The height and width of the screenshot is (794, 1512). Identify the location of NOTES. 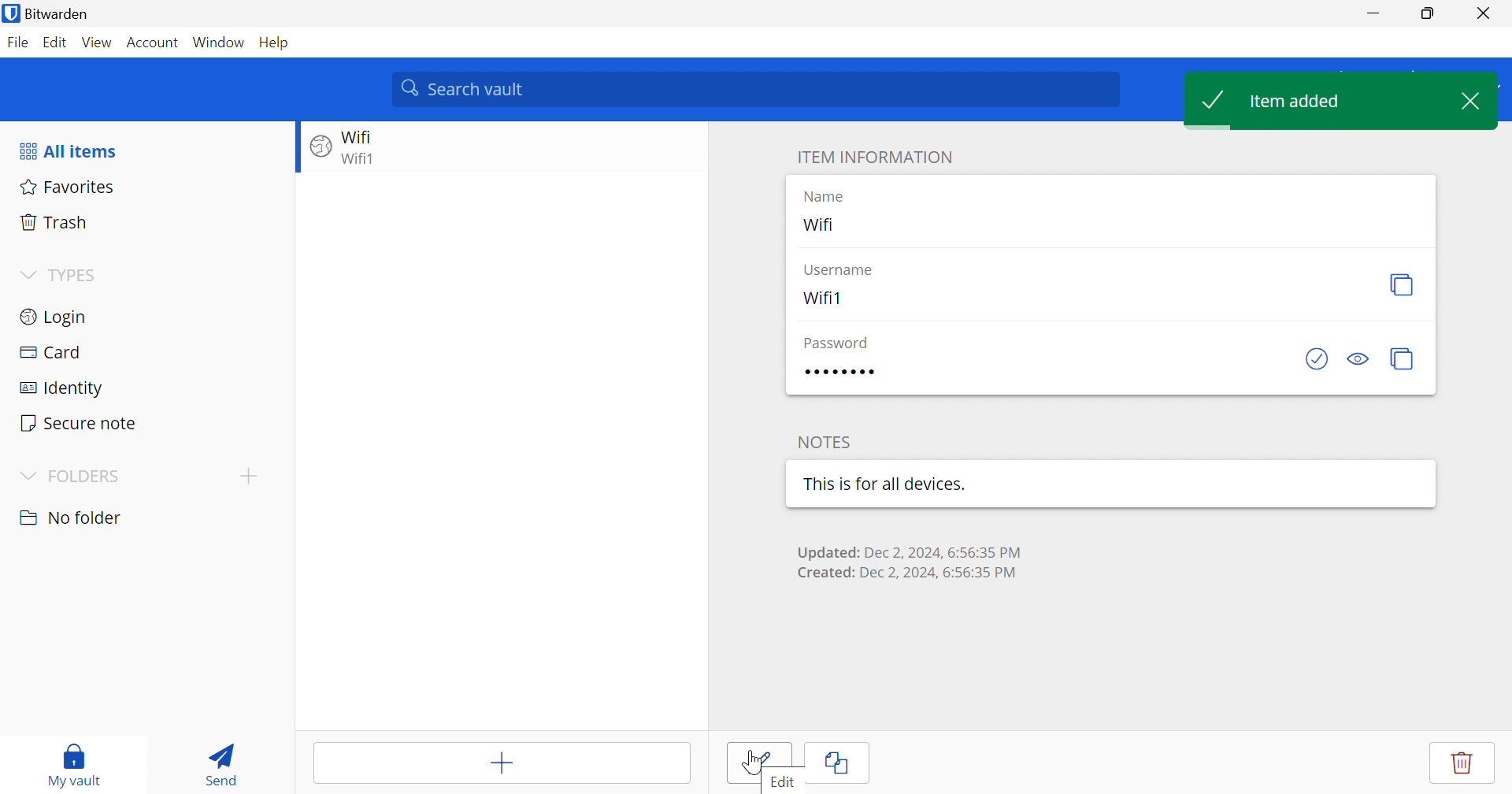
(826, 438).